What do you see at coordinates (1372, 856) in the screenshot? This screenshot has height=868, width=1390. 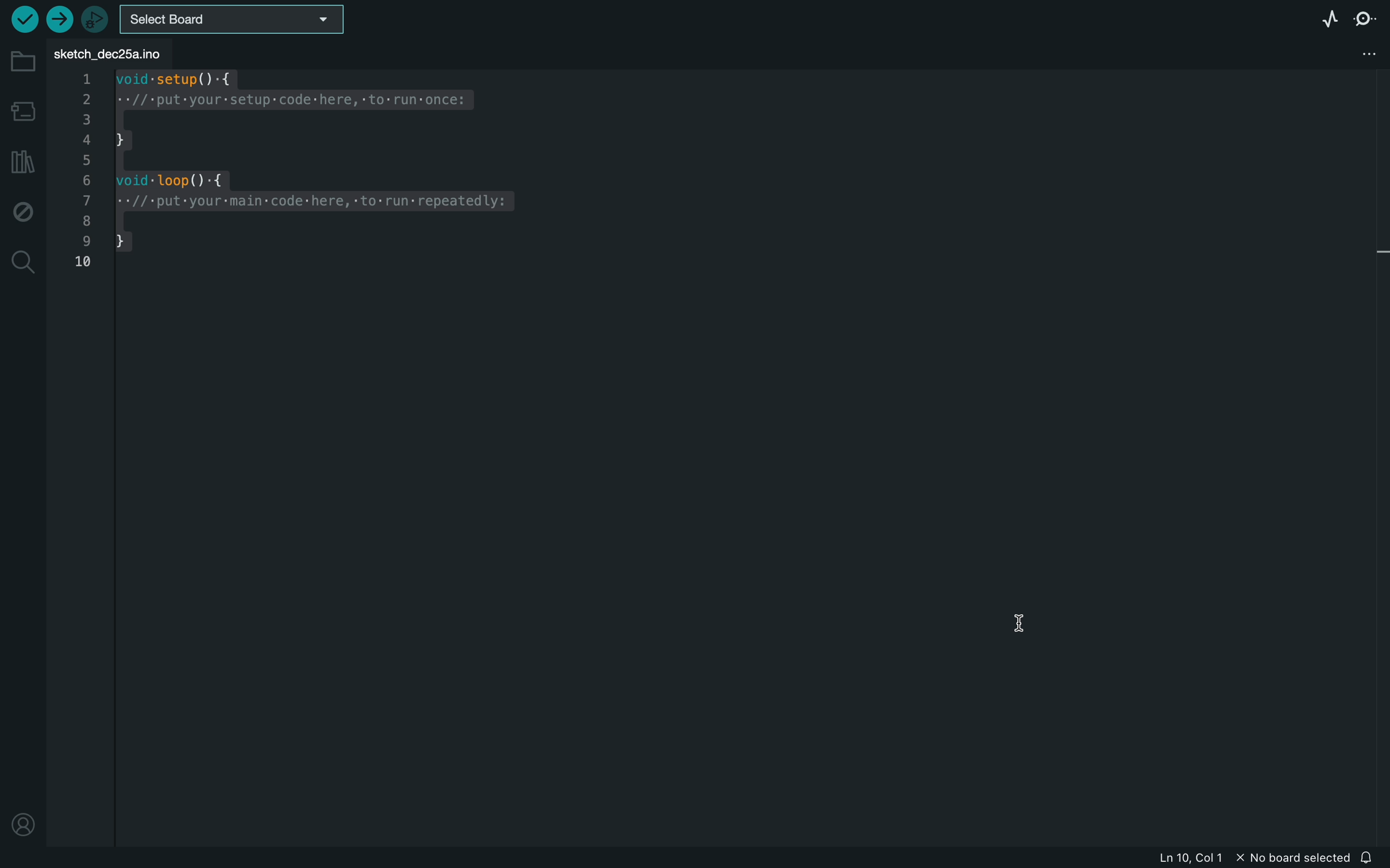 I see `notification ` at bounding box center [1372, 856].